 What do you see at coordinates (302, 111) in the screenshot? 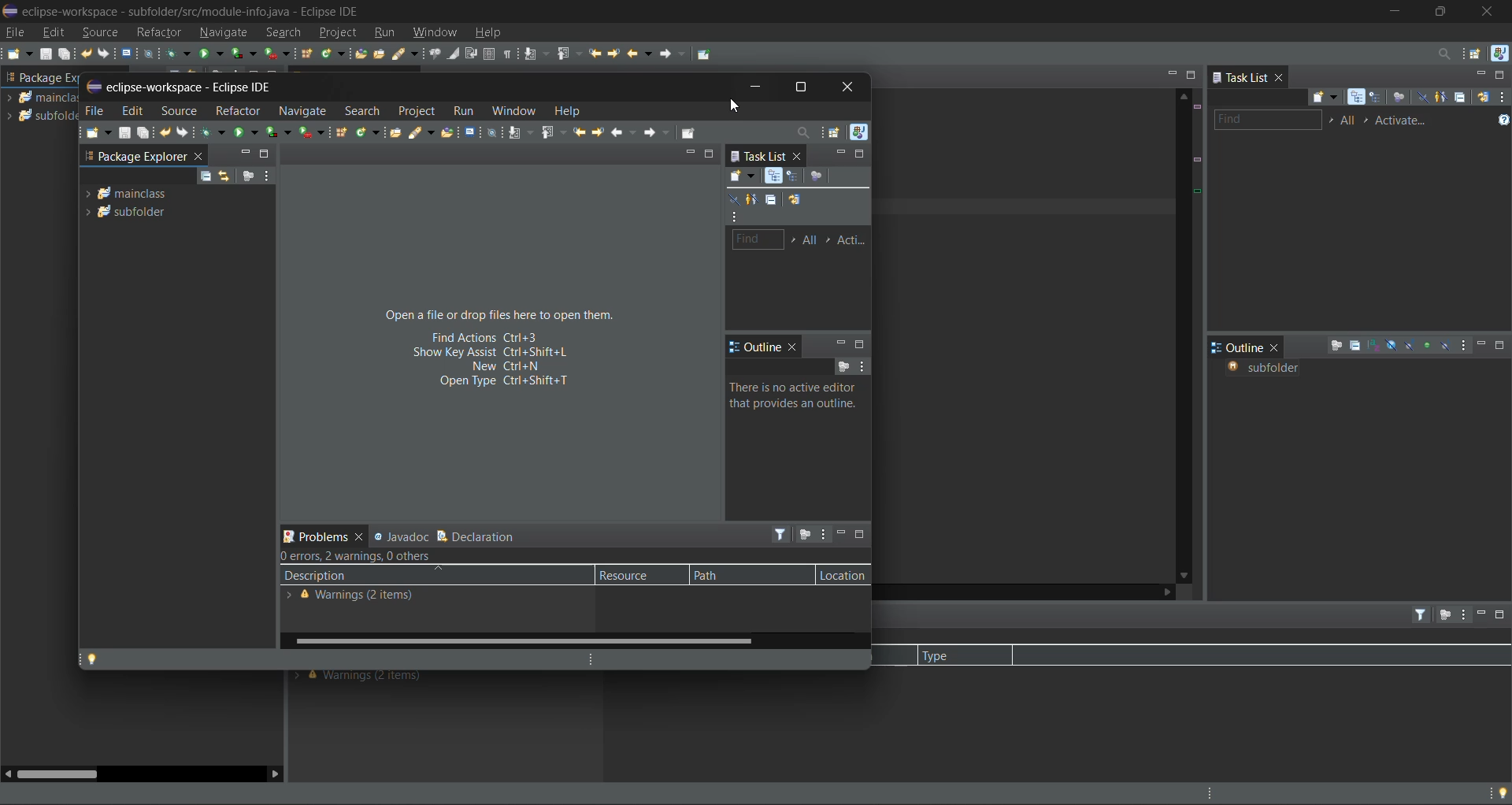
I see `navigate` at bounding box center [302, 111].